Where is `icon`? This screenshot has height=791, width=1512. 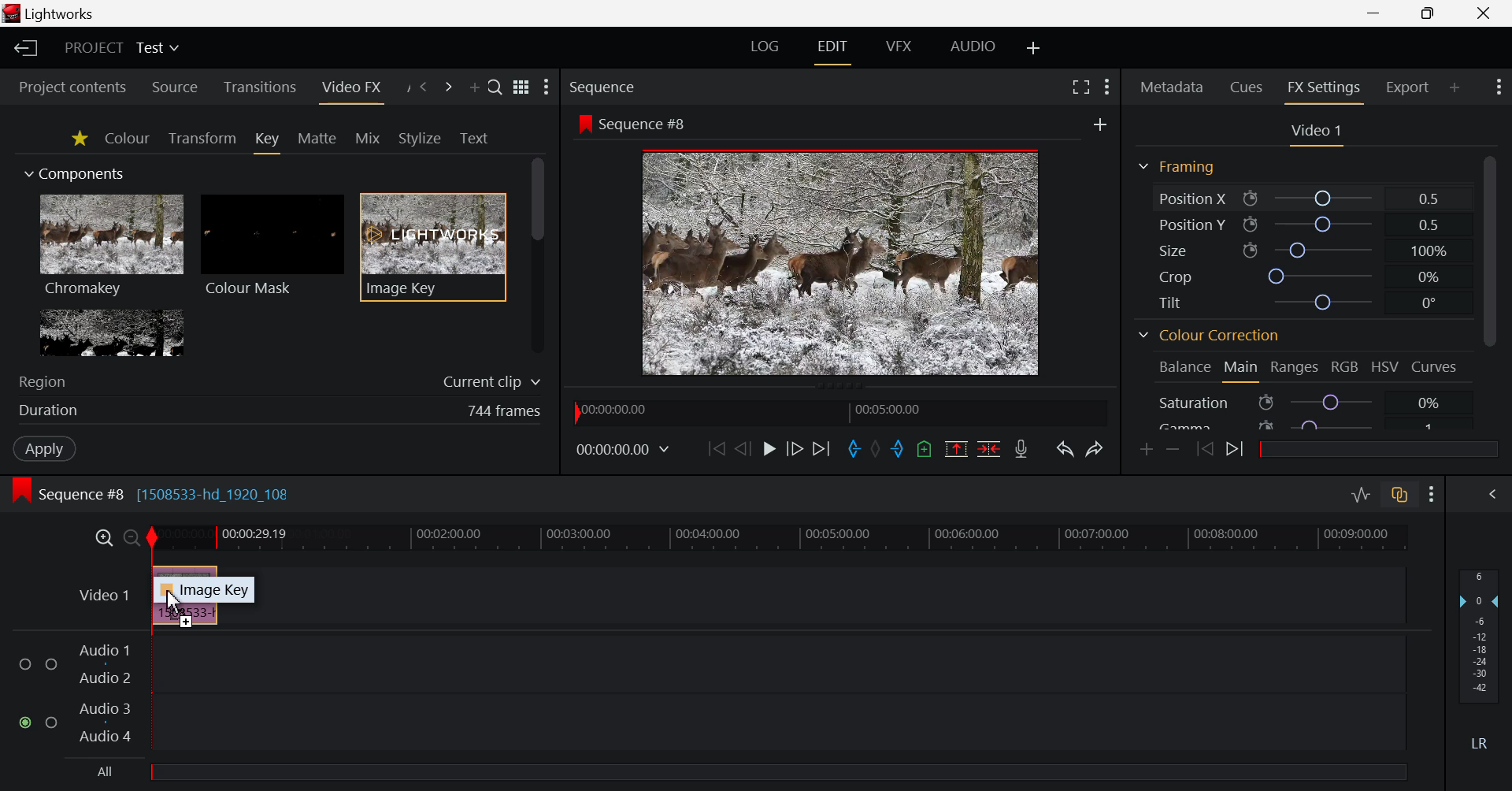 icon is located at coordinates (1265, 425).